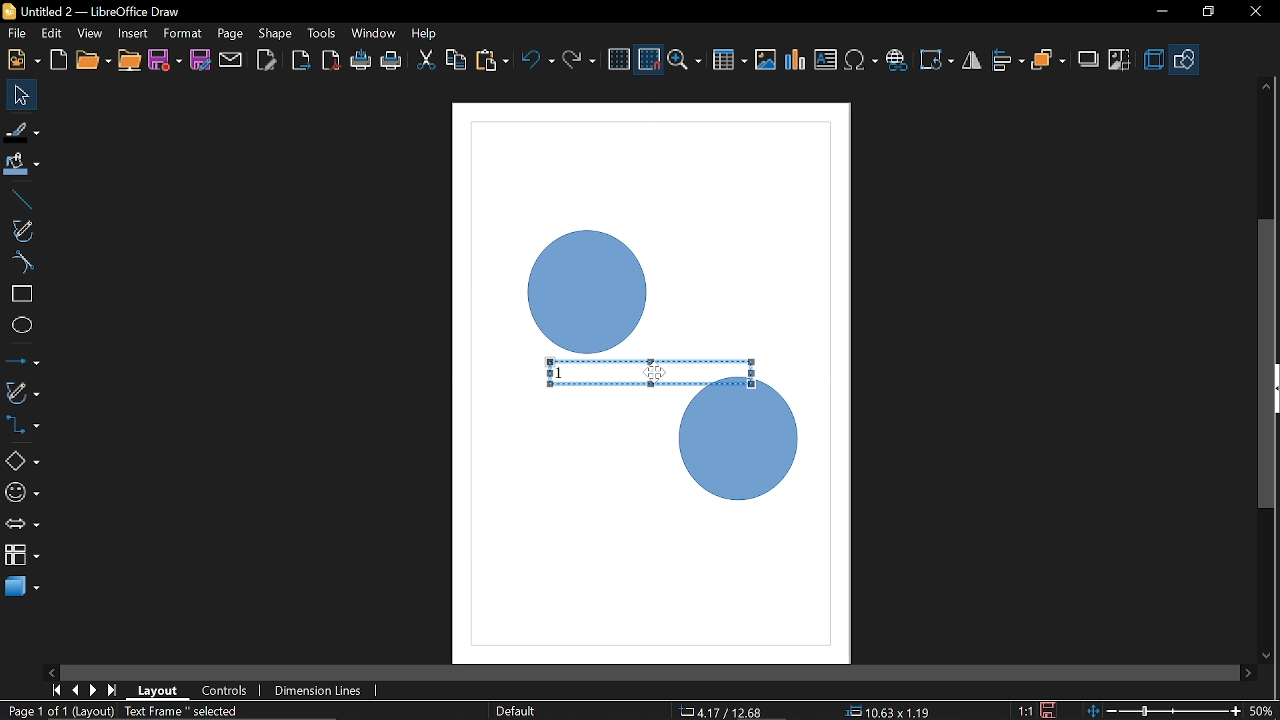 The image size is (1280, 720). What do you see at coordinates (166, 62) in the screenshot?
I see `Save` at bounding box center [166, 62].